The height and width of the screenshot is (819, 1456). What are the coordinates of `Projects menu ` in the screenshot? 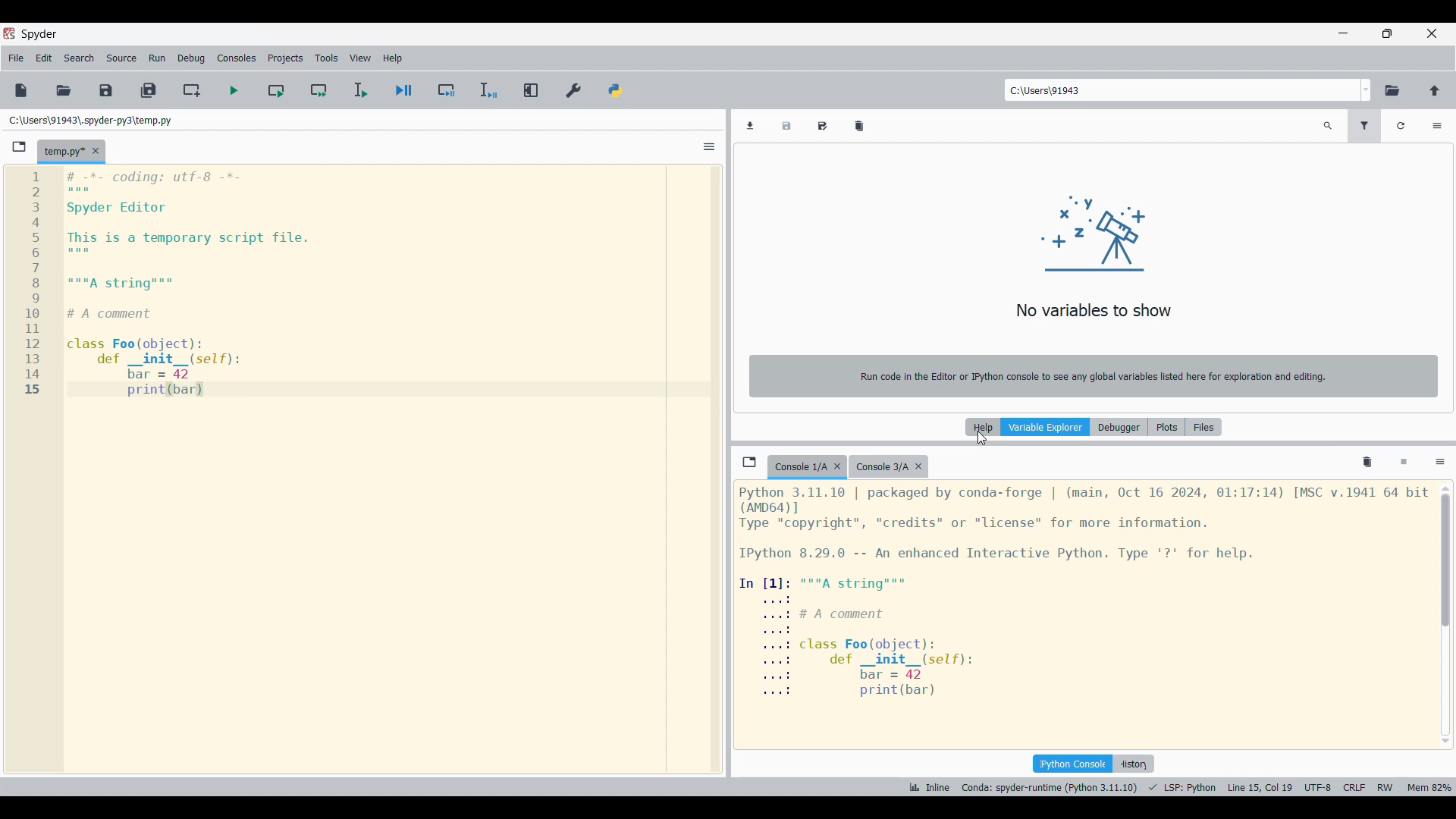 It's located at (285, 58).